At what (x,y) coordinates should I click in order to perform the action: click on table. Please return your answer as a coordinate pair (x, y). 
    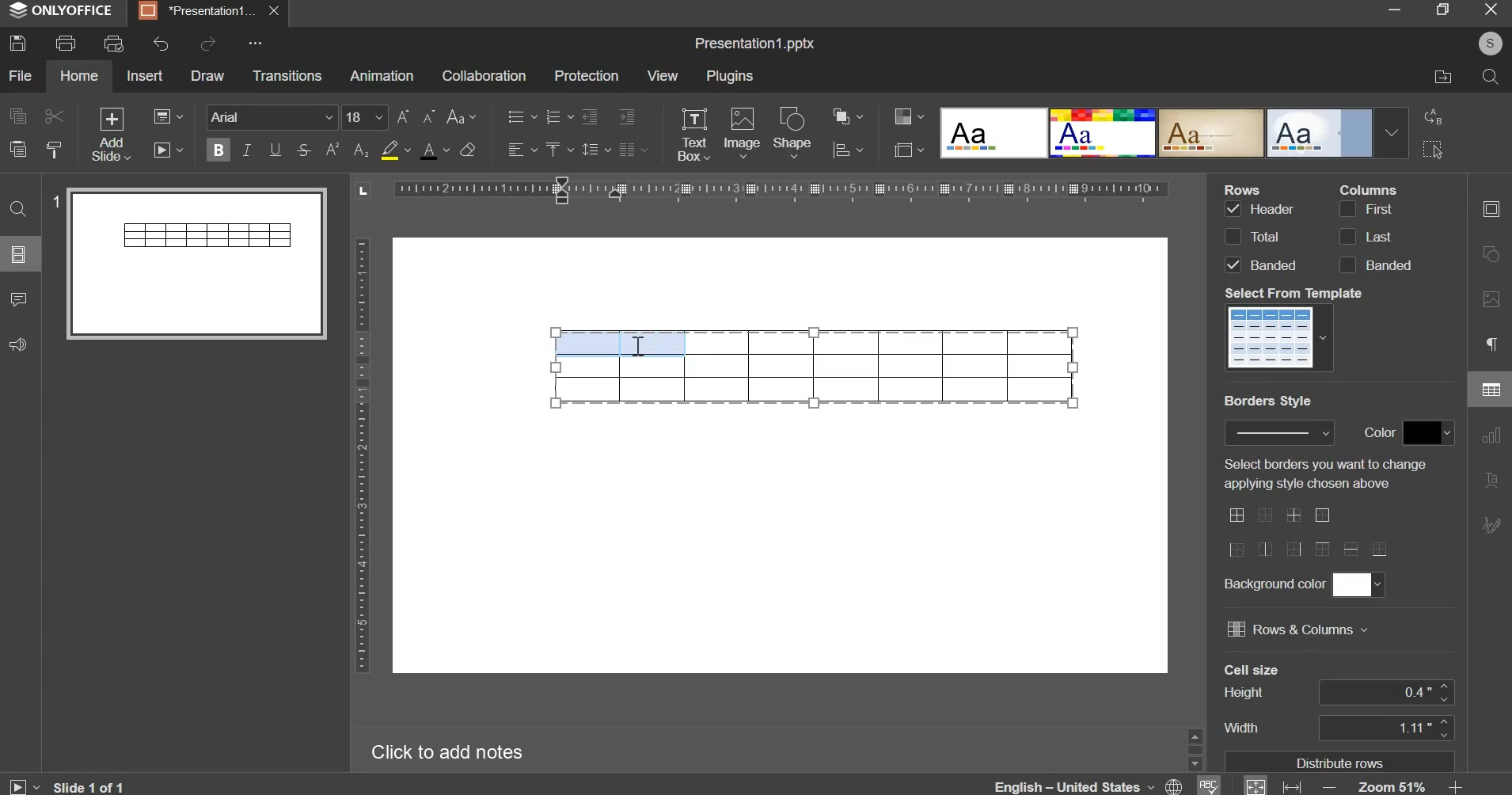
    Looking at the image, I should click on (815, 367).